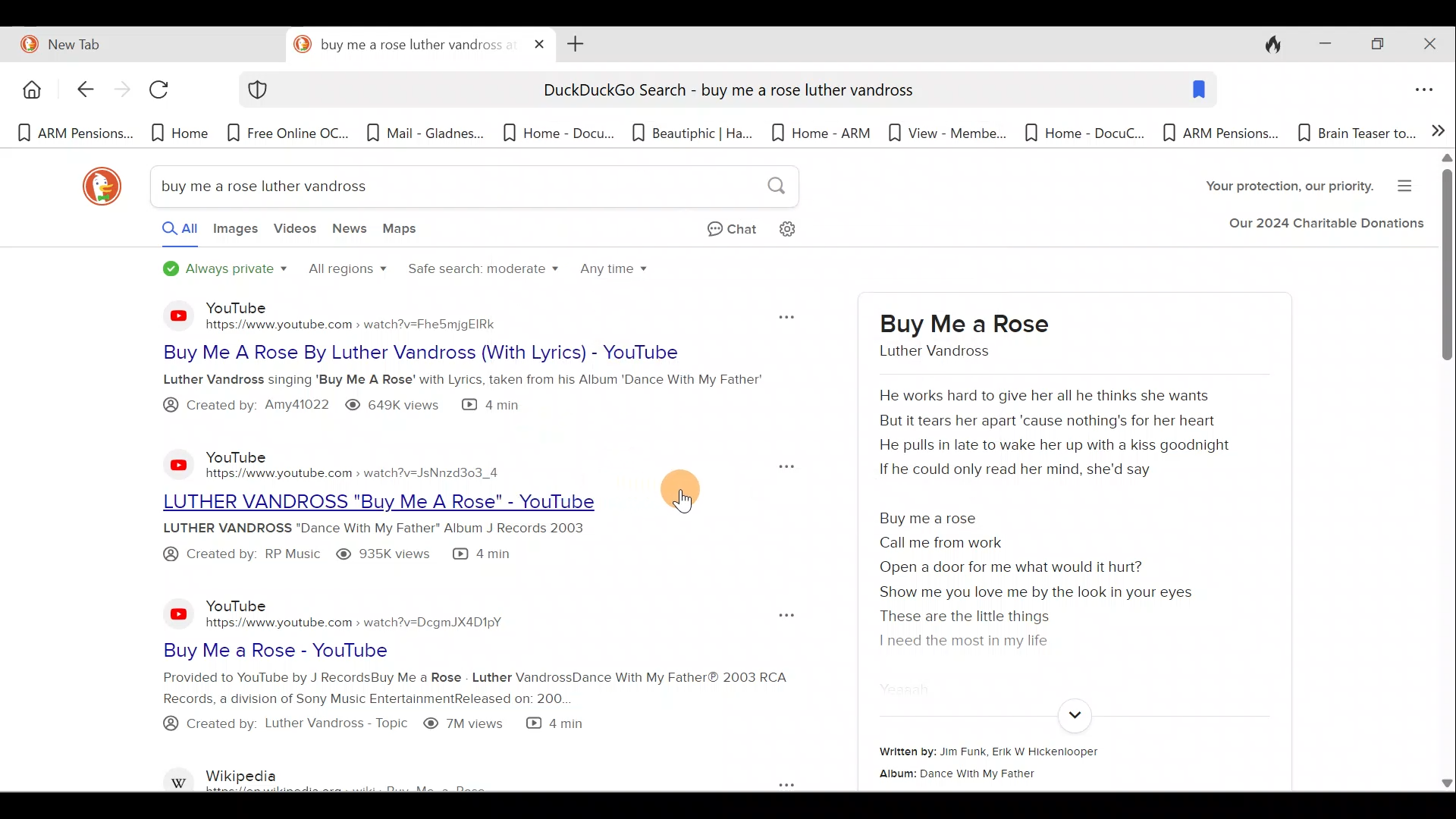 This screenshot has height=819, width=1456. What do you see at coordinates (403, 45) in the screenshot?
I see `buy me a rose luther vandross` at bounding box center [403, 45].